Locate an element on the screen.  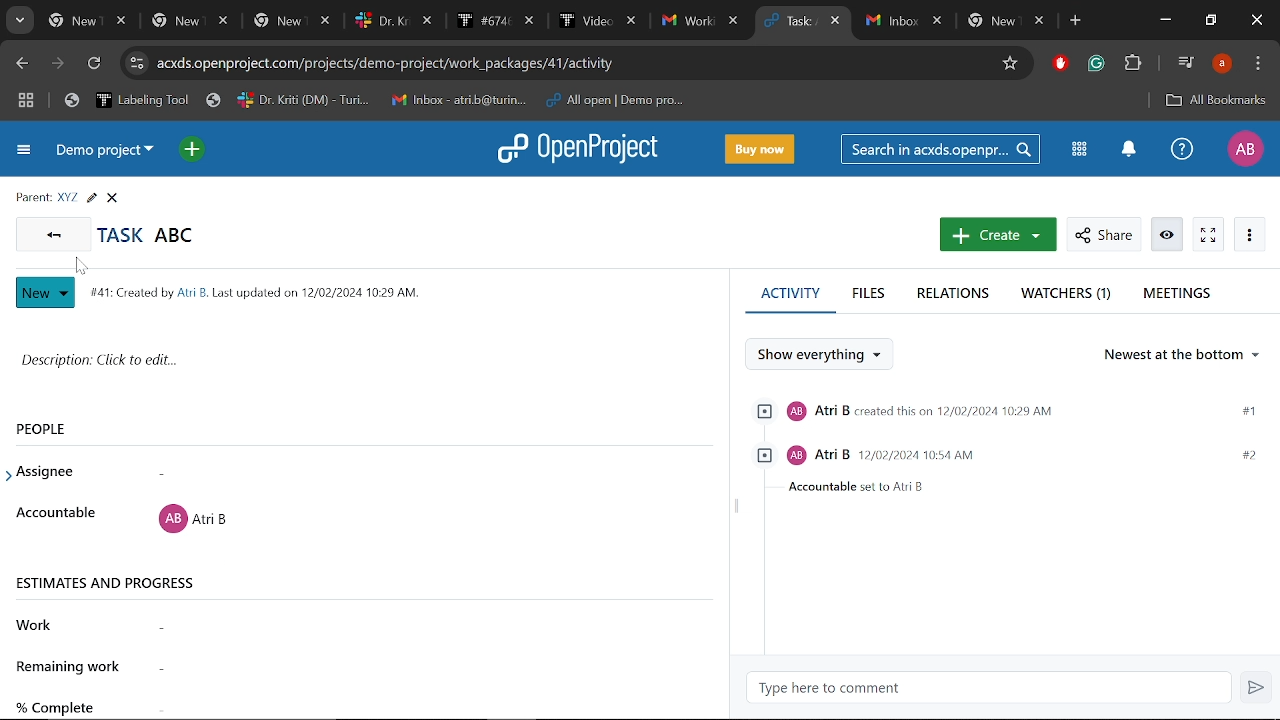
Addblock is located at coordinates (1058, 63).